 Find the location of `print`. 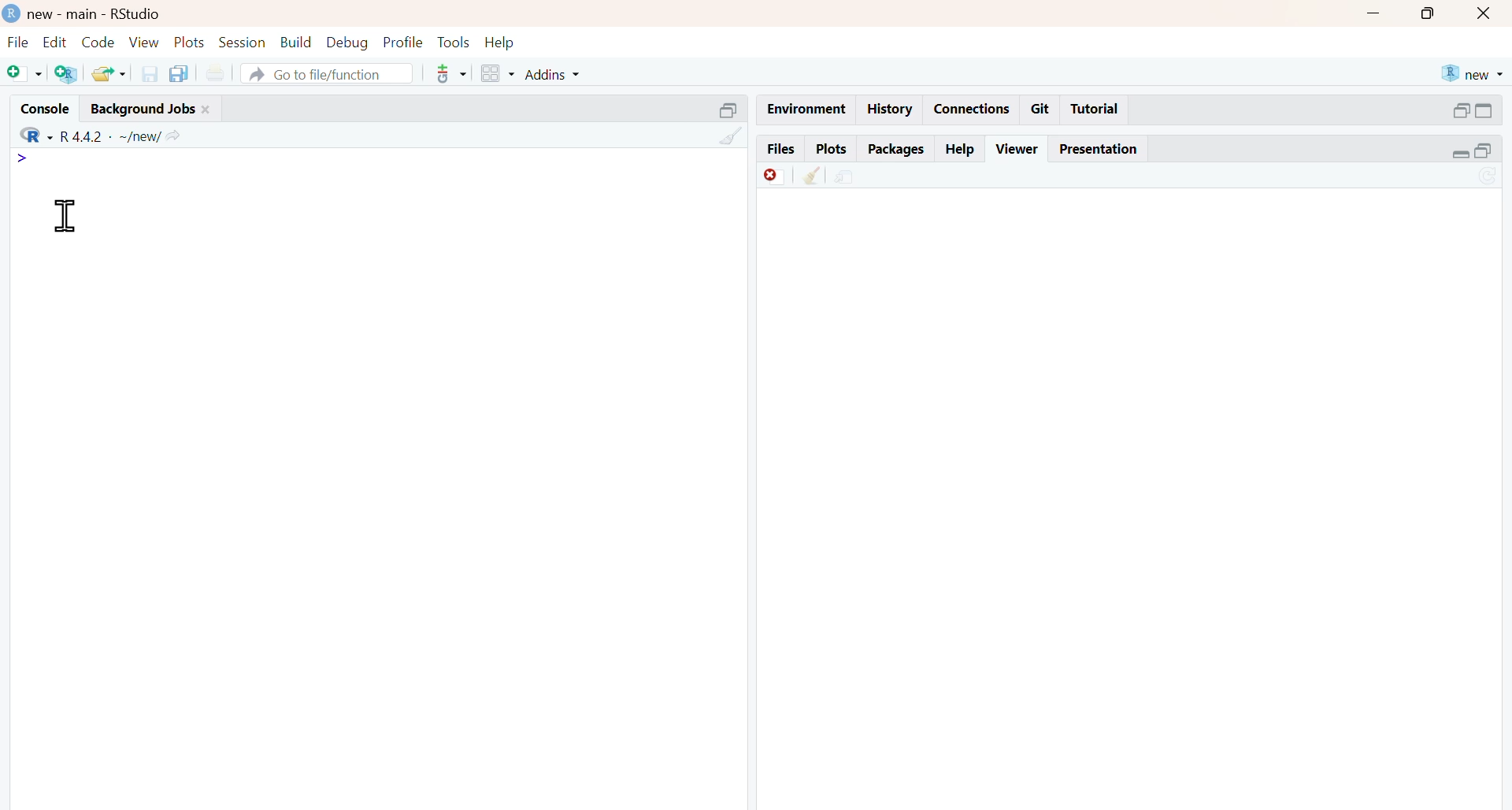

print is located at coordinates (216, 75).